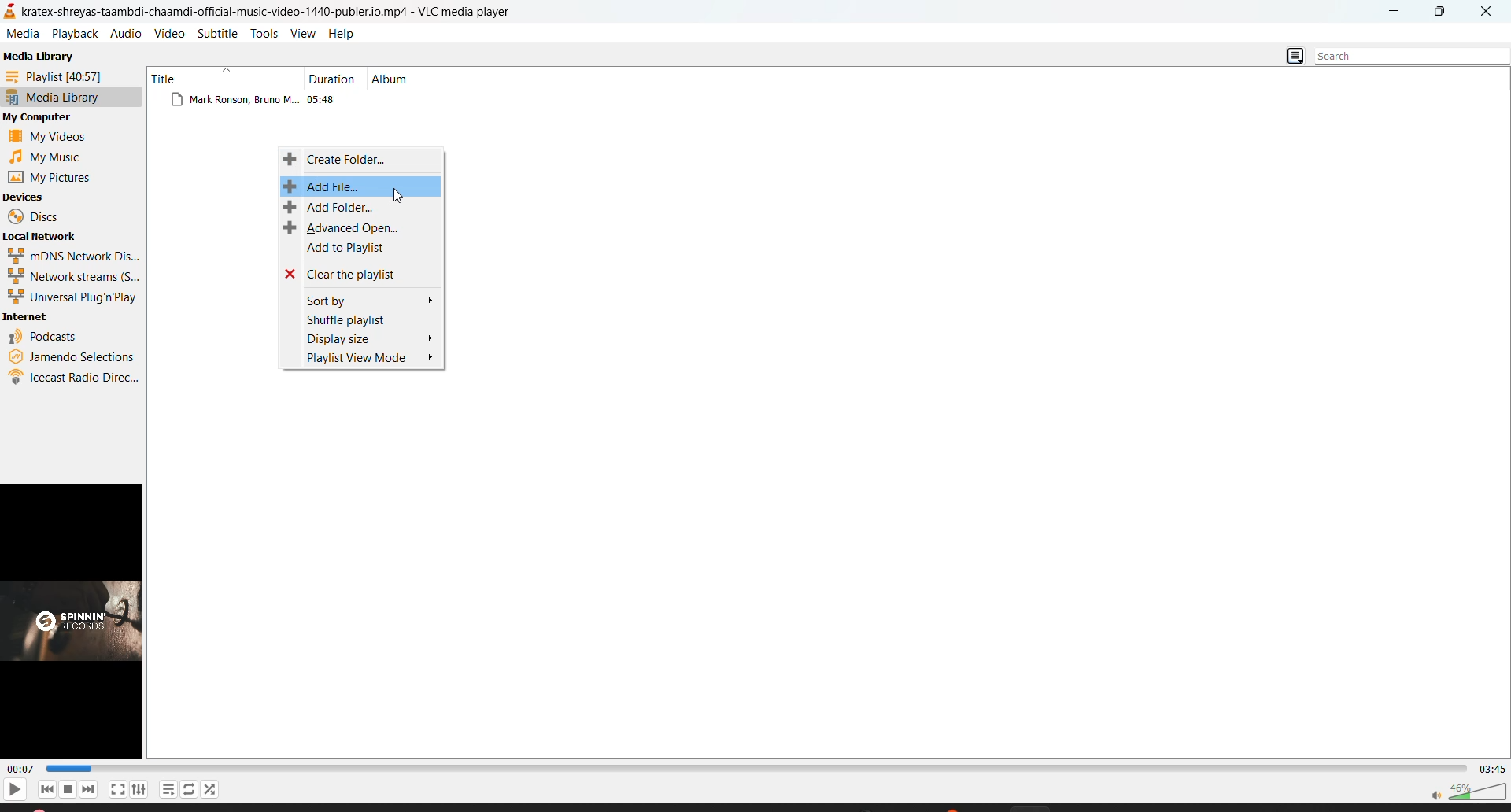 This screenshot has height=812, width=1511. What do you see at coordinates (346, 319) in the screenshot?
I see `shuffle playlist` at bounding box center [346, 319].